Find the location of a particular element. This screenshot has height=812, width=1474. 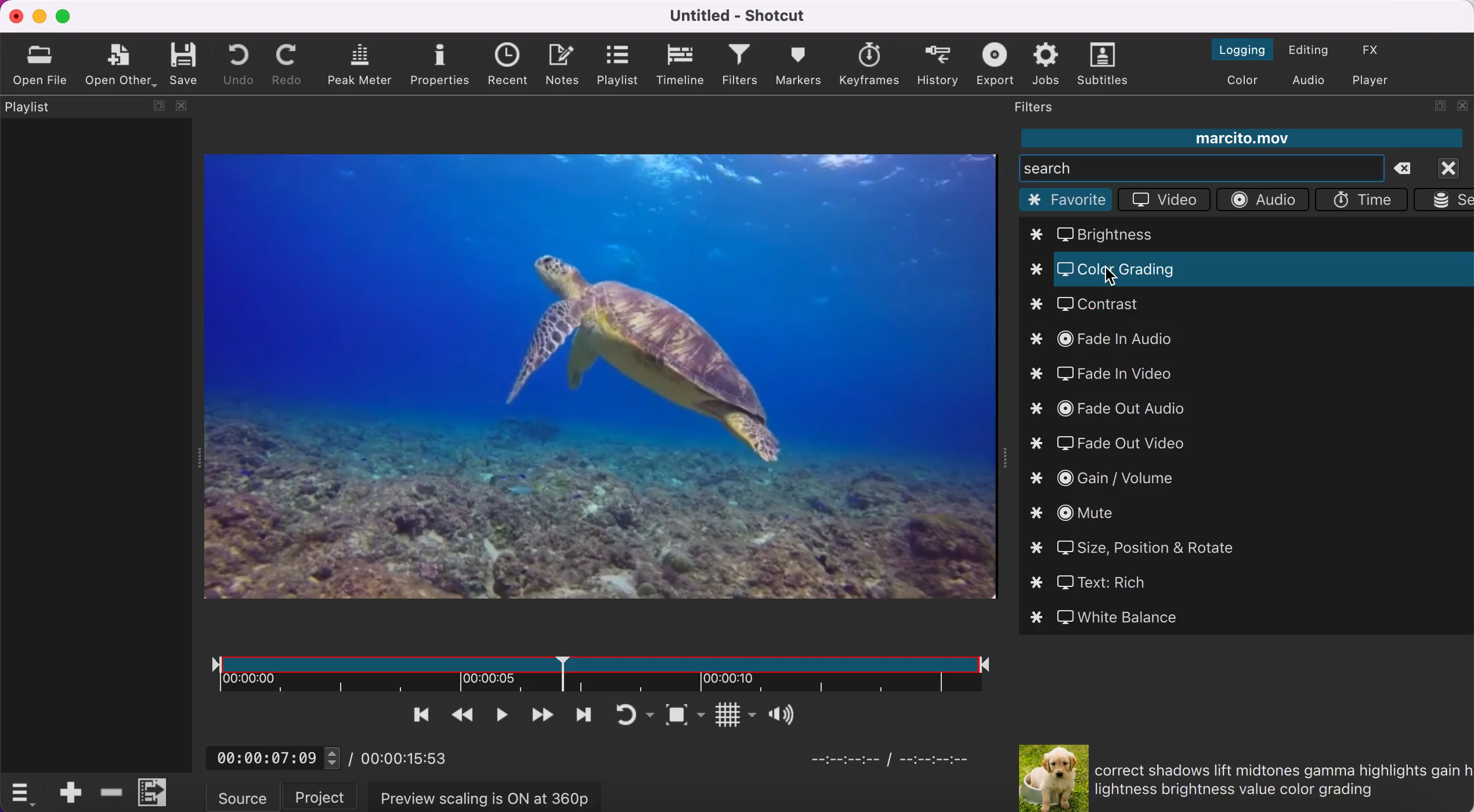

filters is located at coordinates (737, 66).